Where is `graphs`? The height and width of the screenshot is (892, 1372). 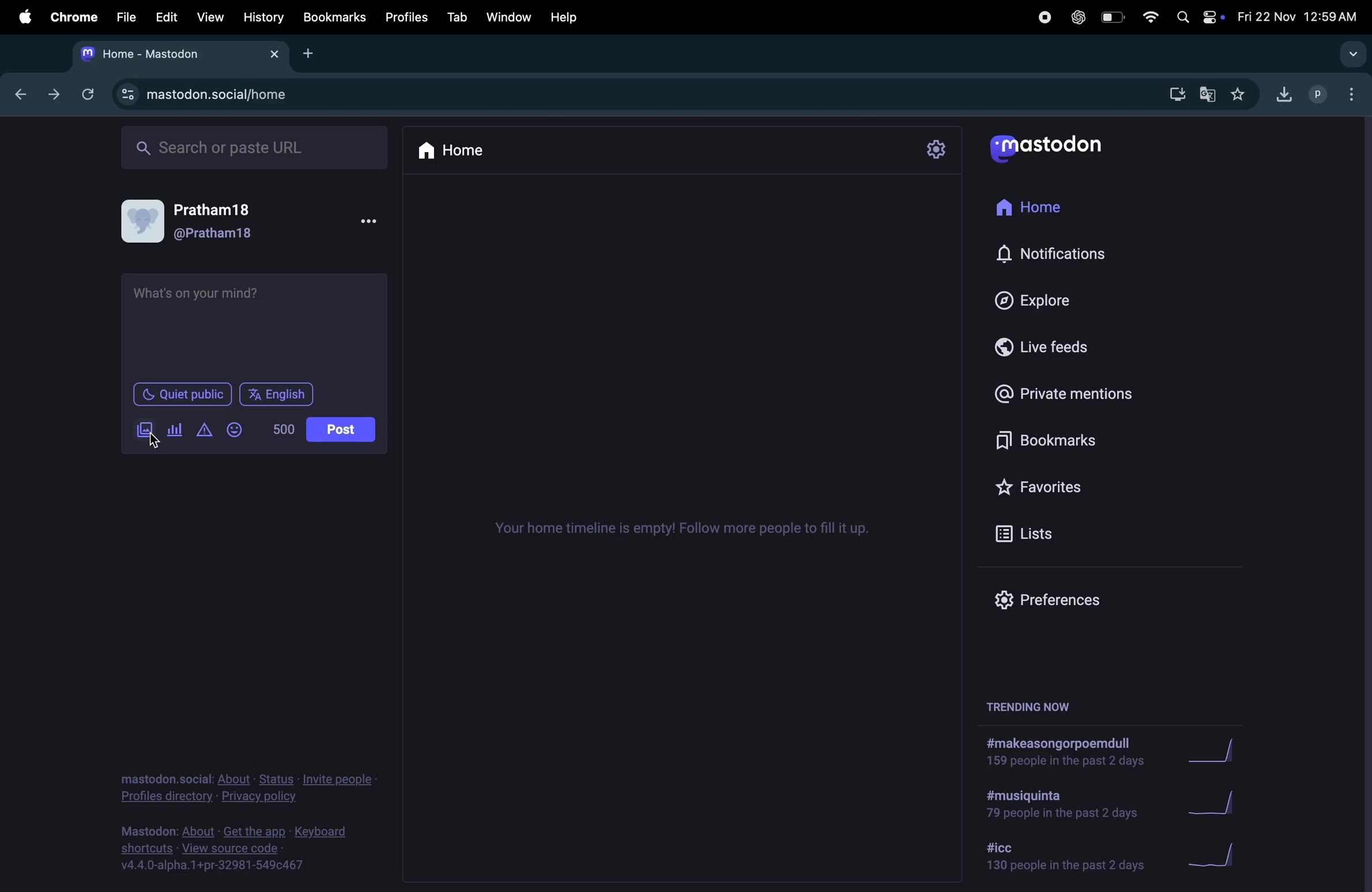
graphs is located at coordinates (1217, 752).